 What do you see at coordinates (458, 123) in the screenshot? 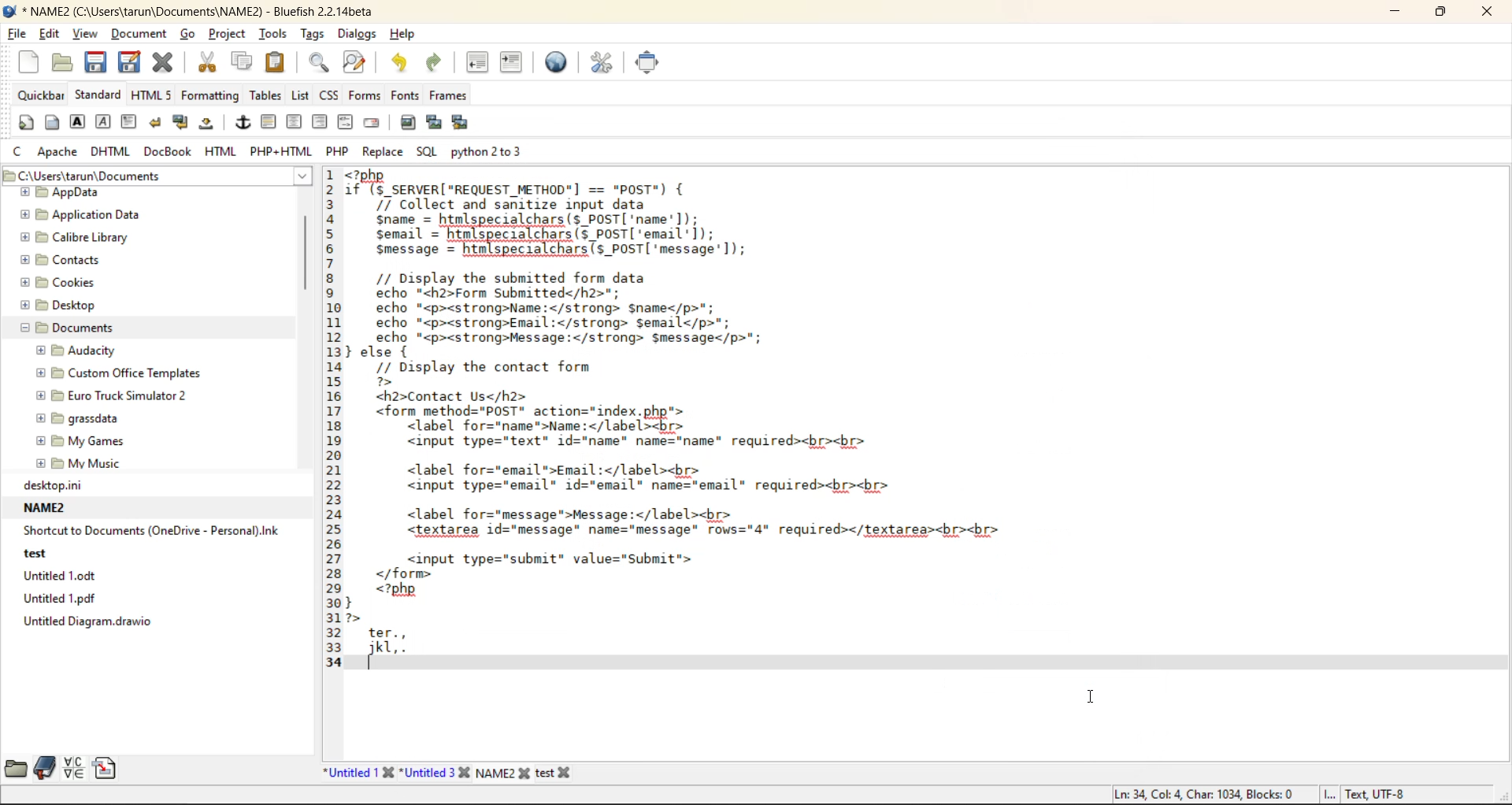
I see `insert multiple thumbnail` at bounding box center [458, 123].